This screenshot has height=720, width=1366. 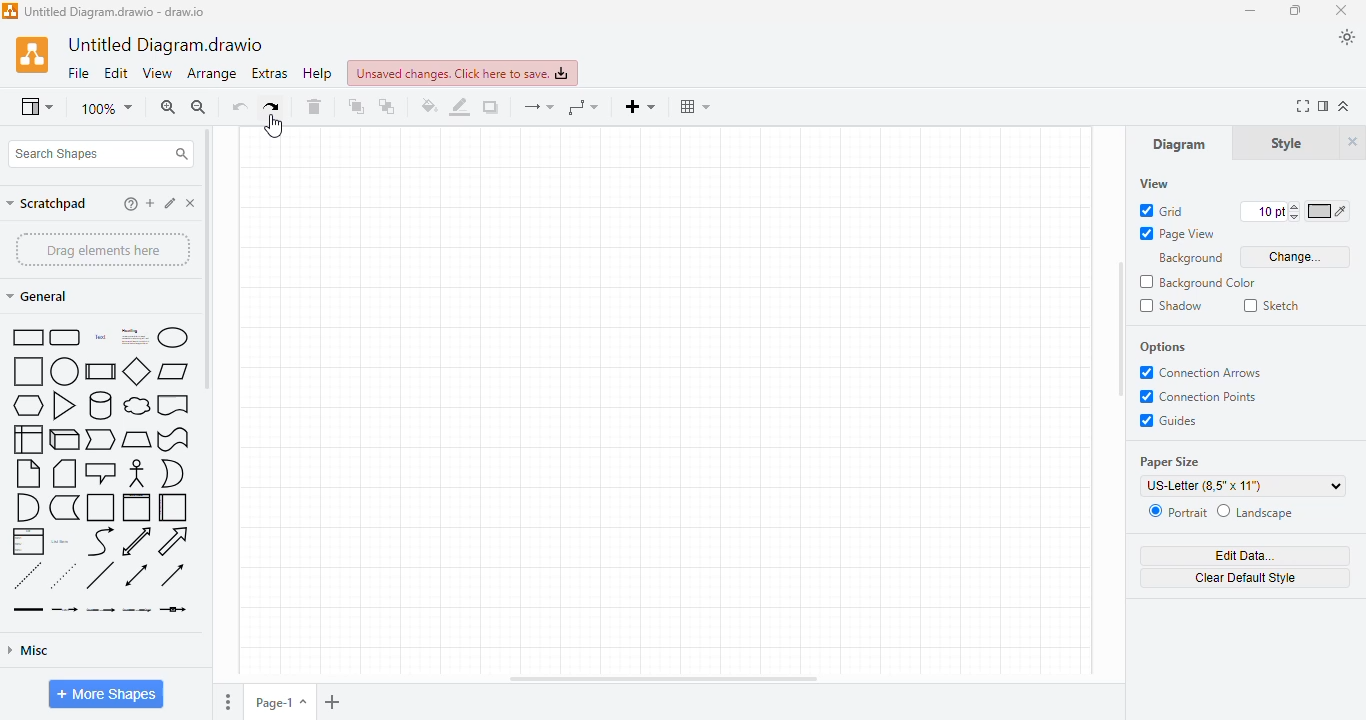 I want to click on appearance, so click(x=1347, y=38).